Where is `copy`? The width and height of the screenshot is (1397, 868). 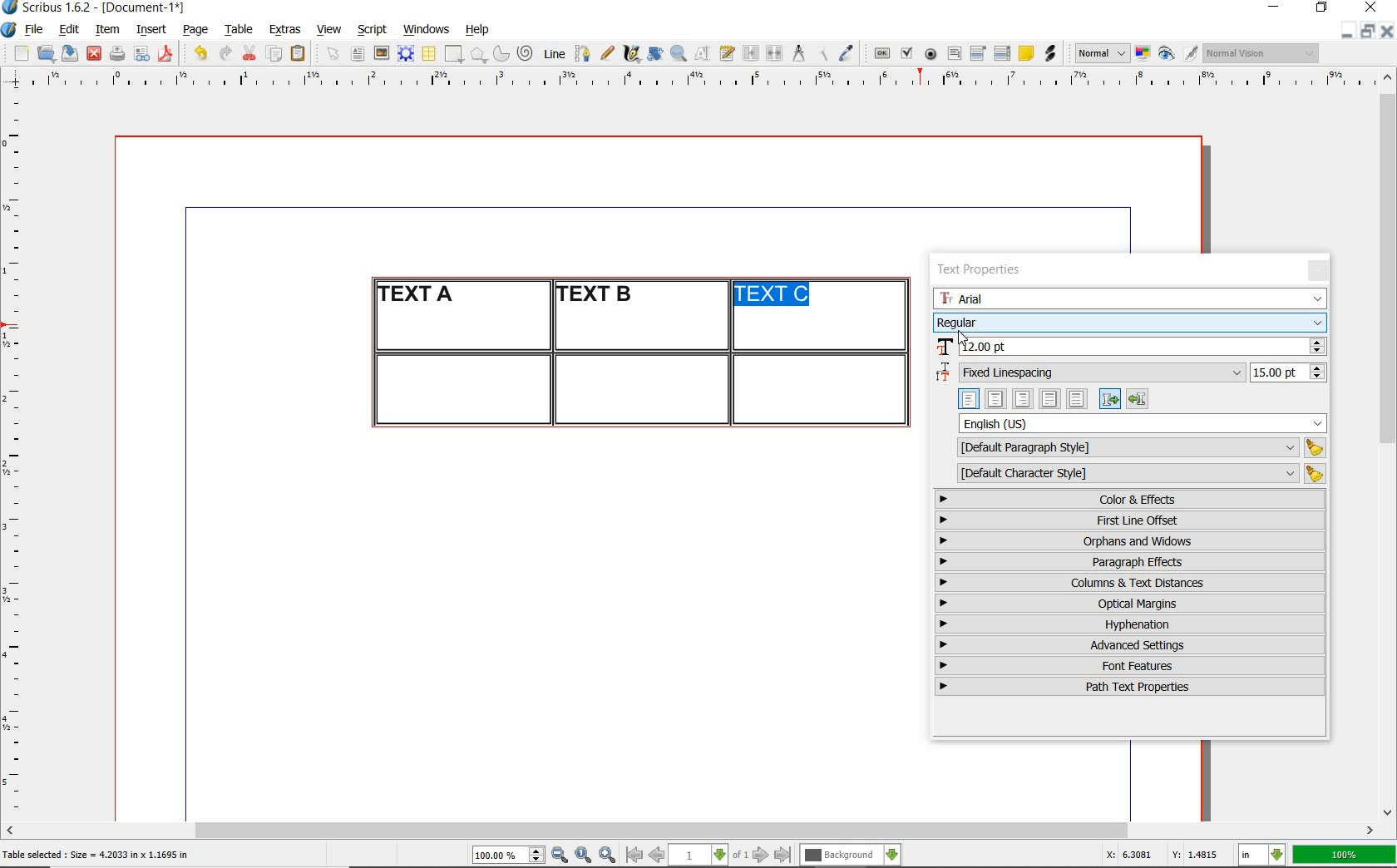
copy is located at coordinates (275, 55).